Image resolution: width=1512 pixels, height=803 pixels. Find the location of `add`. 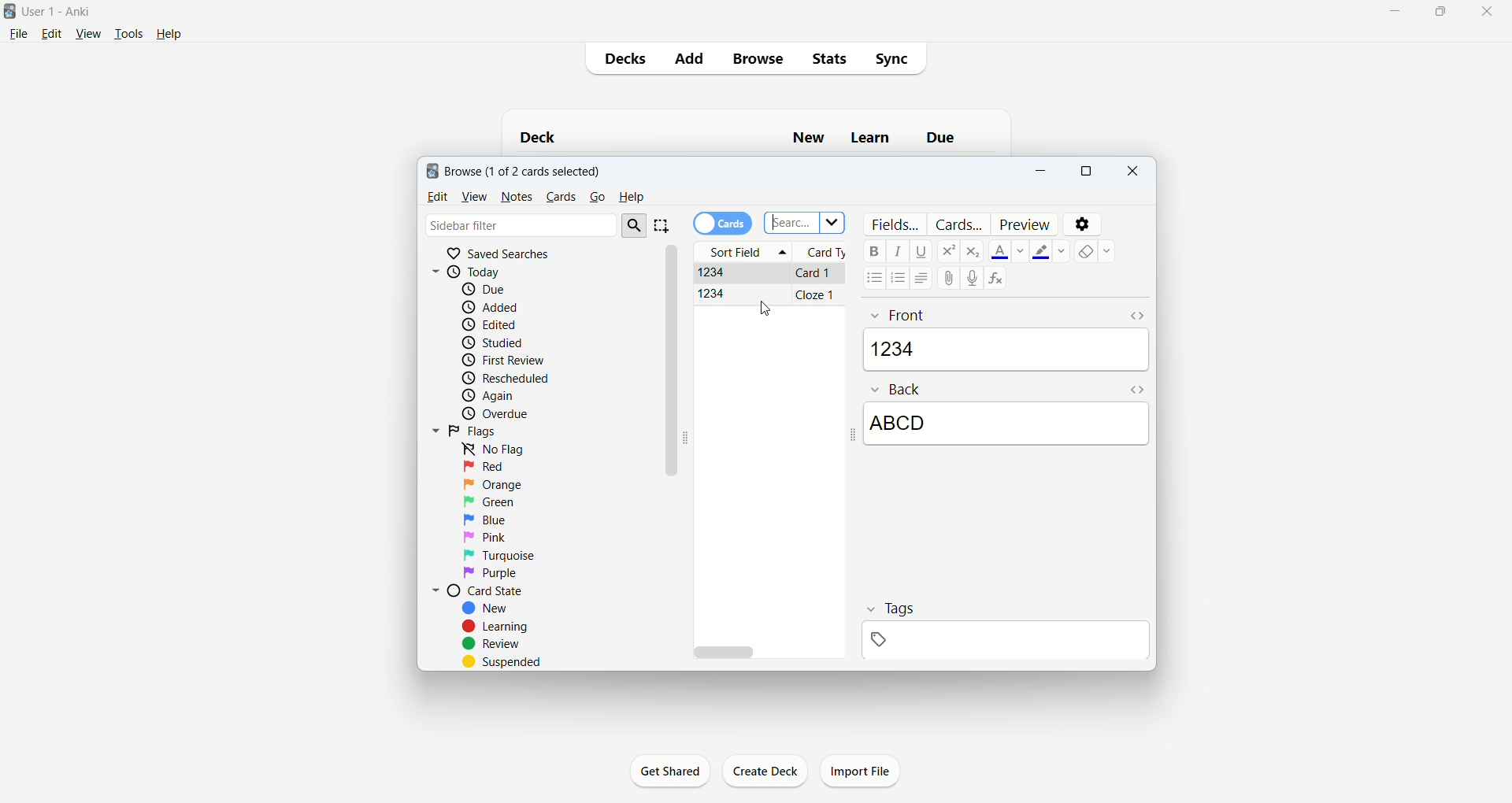

add is located at coordinates (691, 60).